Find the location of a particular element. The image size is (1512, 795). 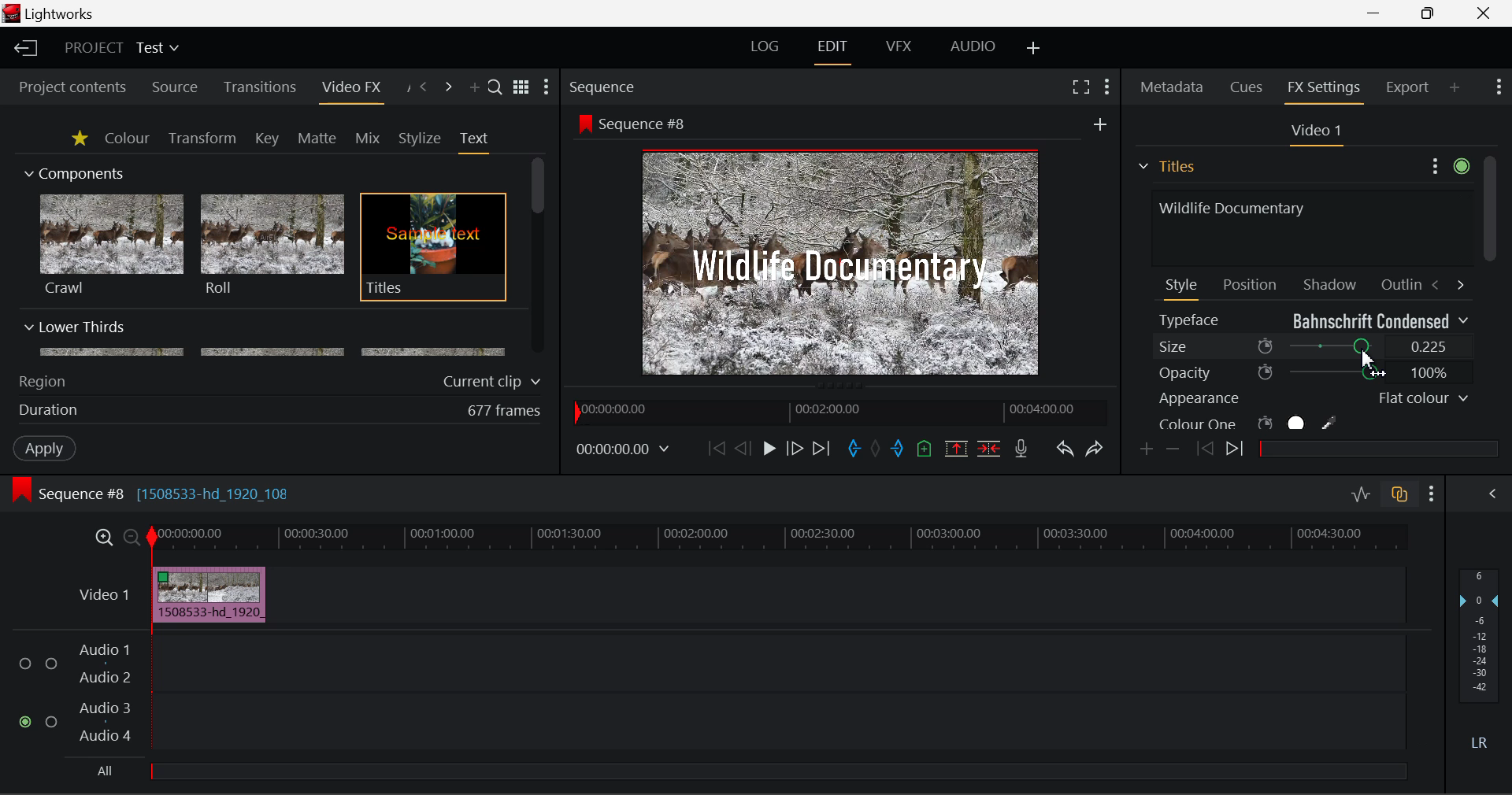

Titles is located at coordinates (433, 248).